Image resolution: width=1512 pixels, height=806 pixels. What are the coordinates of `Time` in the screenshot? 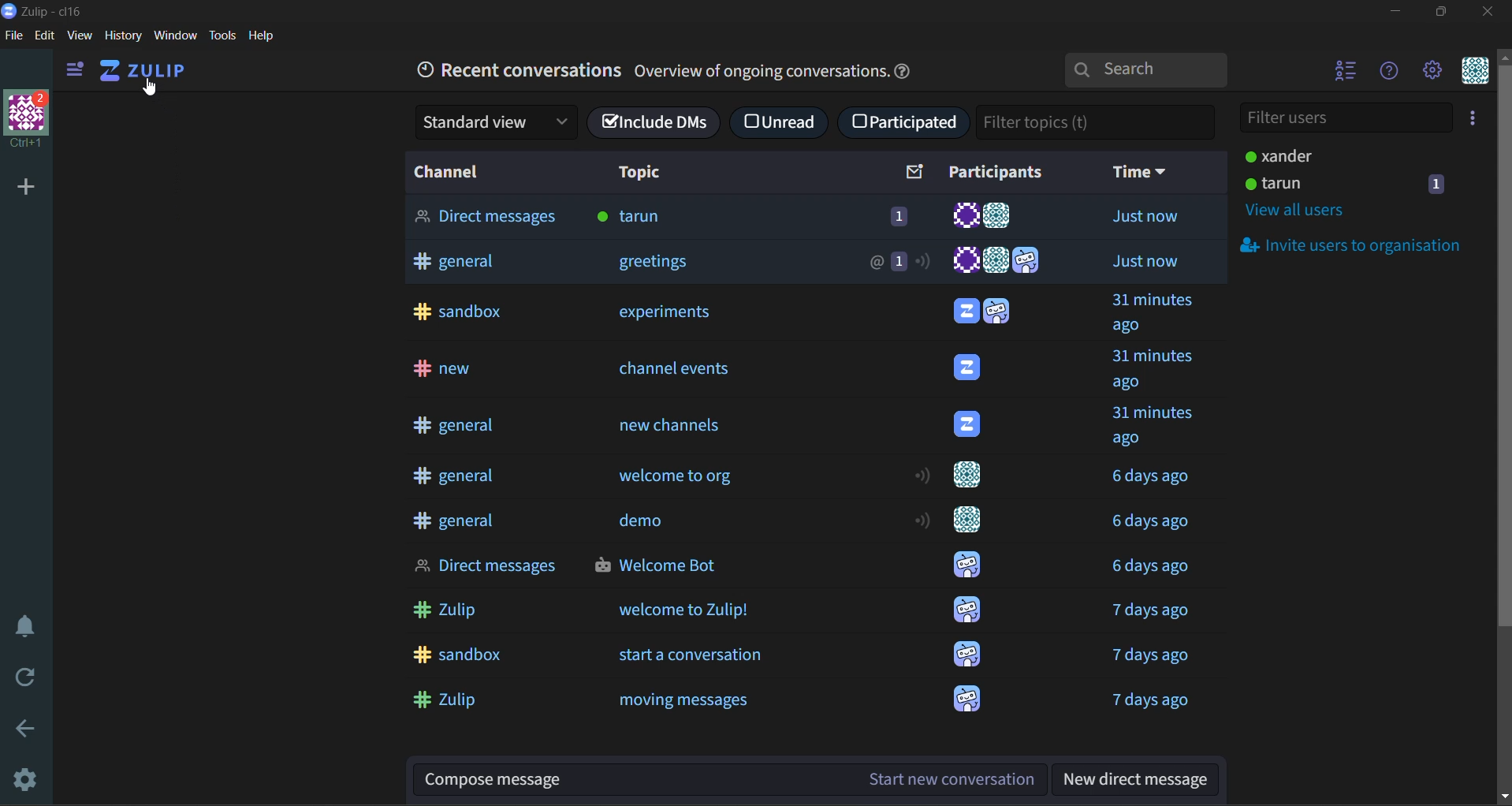 It's located at (1155, 700).